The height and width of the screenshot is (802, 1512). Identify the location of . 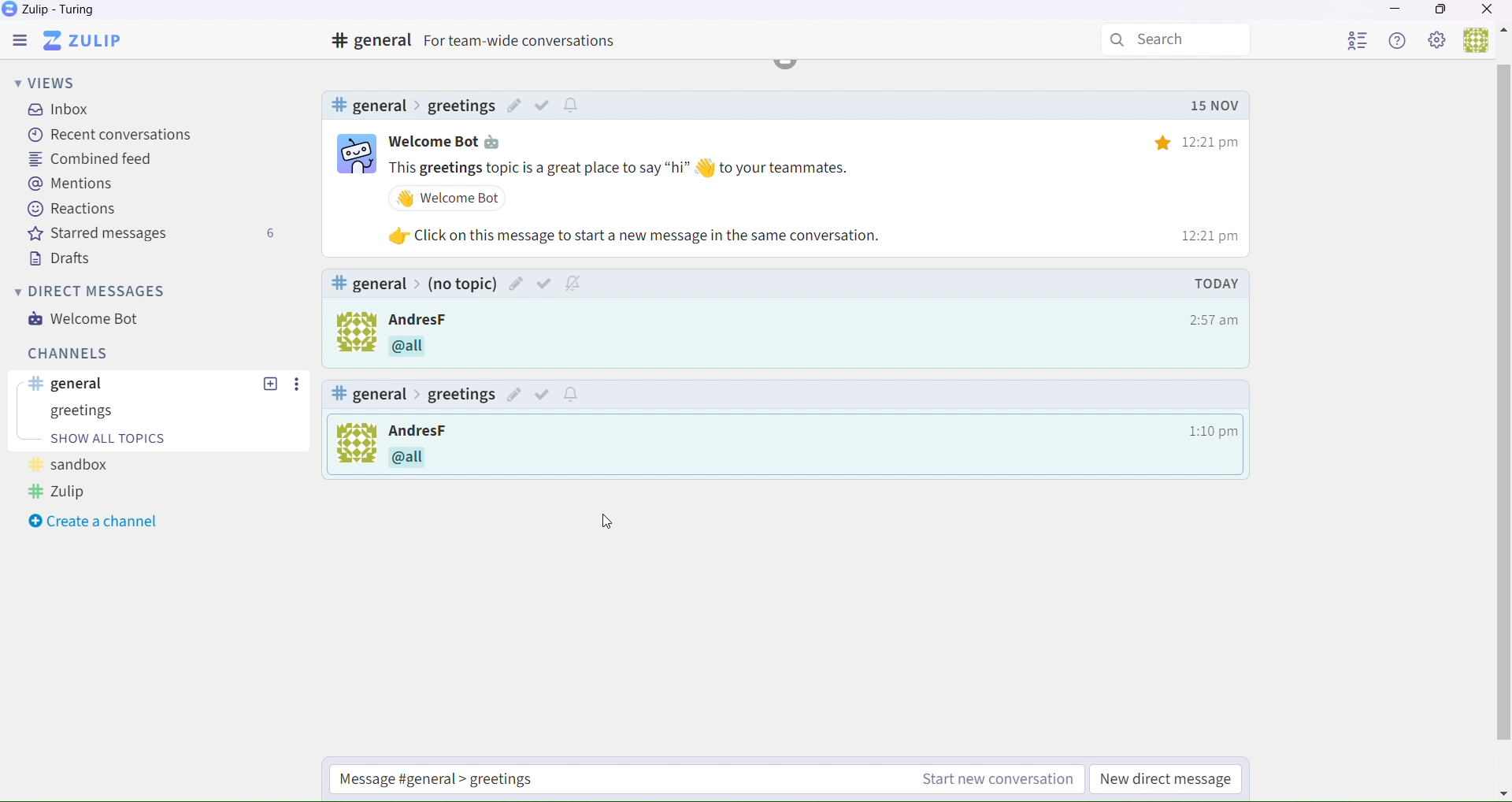
(1206, 102).